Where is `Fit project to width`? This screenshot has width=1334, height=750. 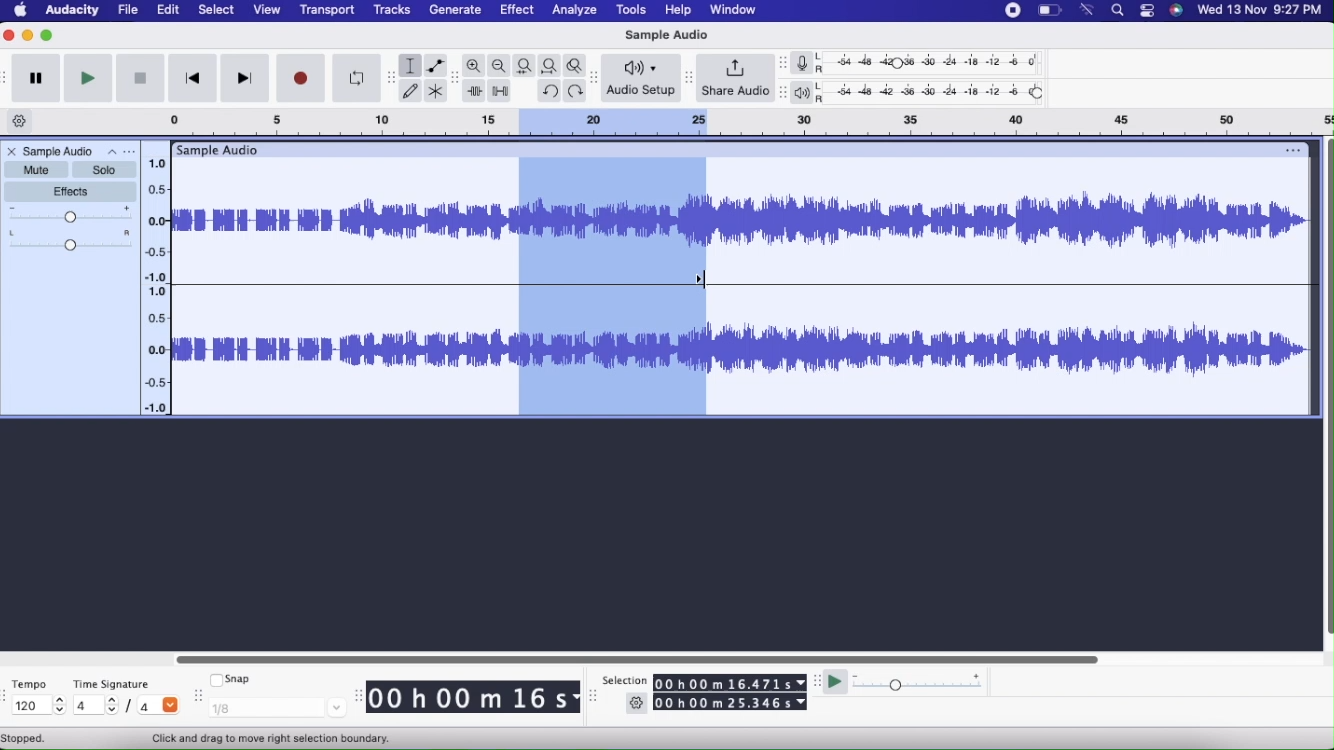 Fit project to width is located at coordinates (552, 65).